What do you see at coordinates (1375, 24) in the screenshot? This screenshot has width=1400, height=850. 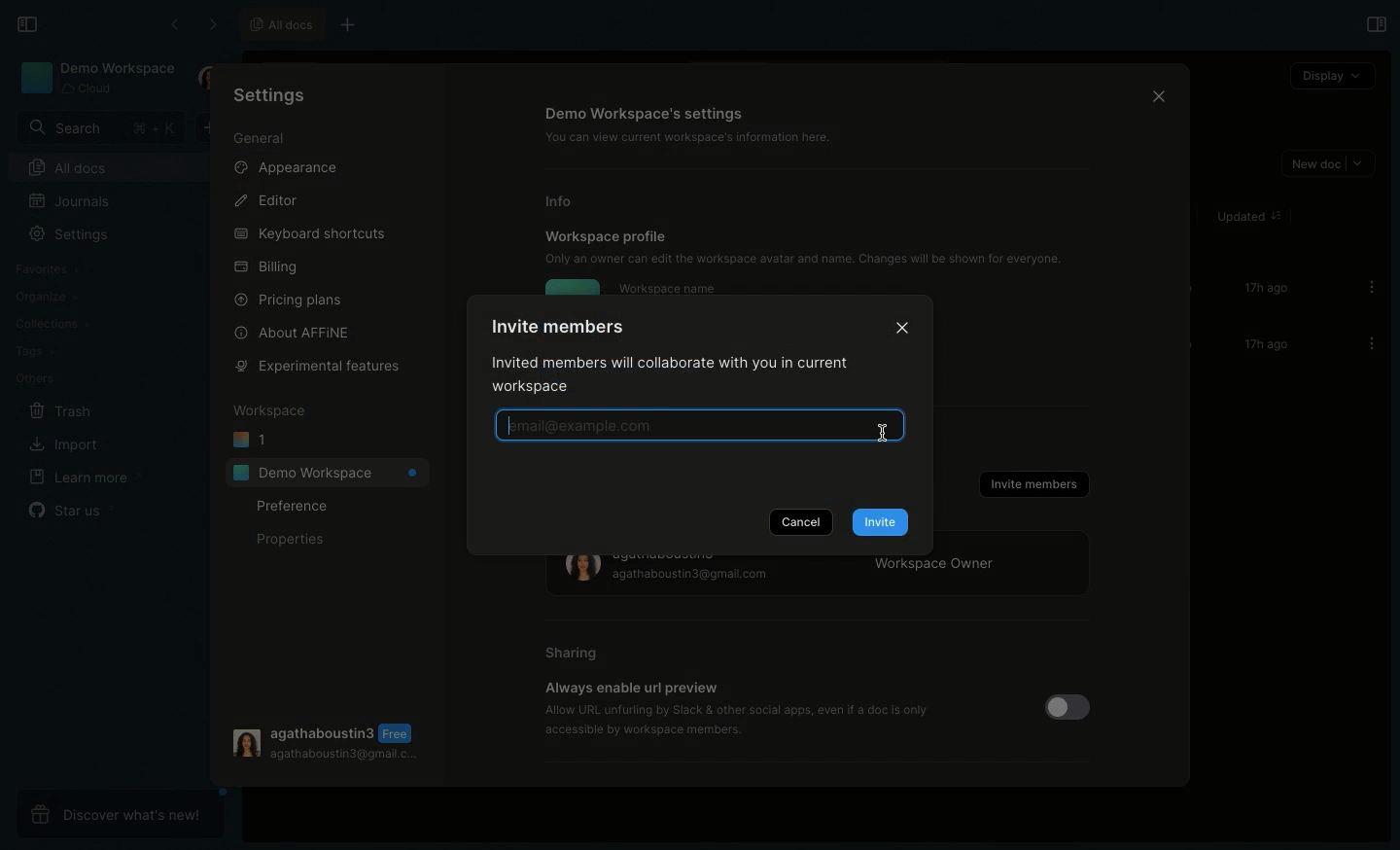 I see `Open right panel` at bounding box center [1375, 24].